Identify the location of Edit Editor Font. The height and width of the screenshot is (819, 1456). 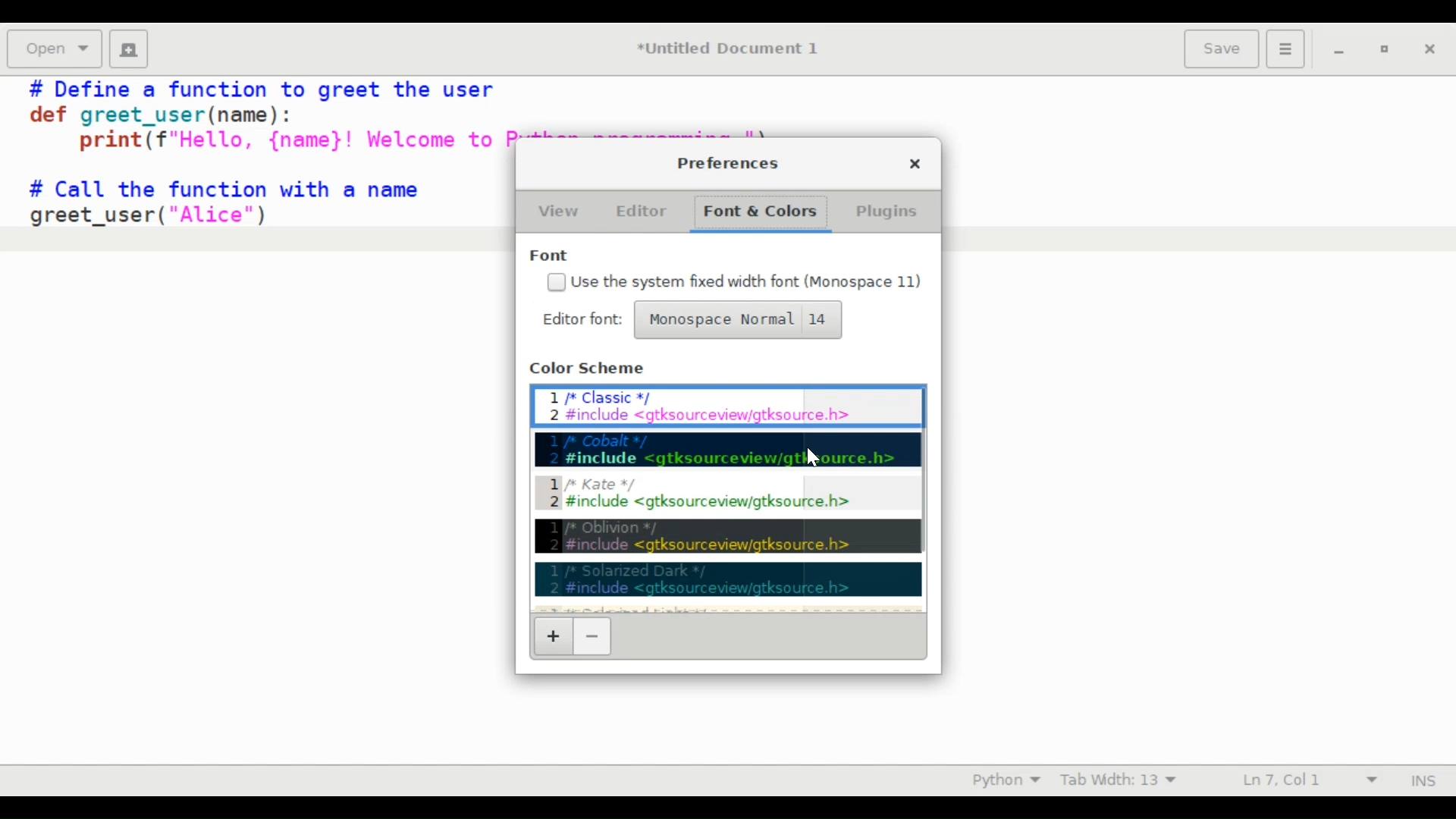
(582, 319).